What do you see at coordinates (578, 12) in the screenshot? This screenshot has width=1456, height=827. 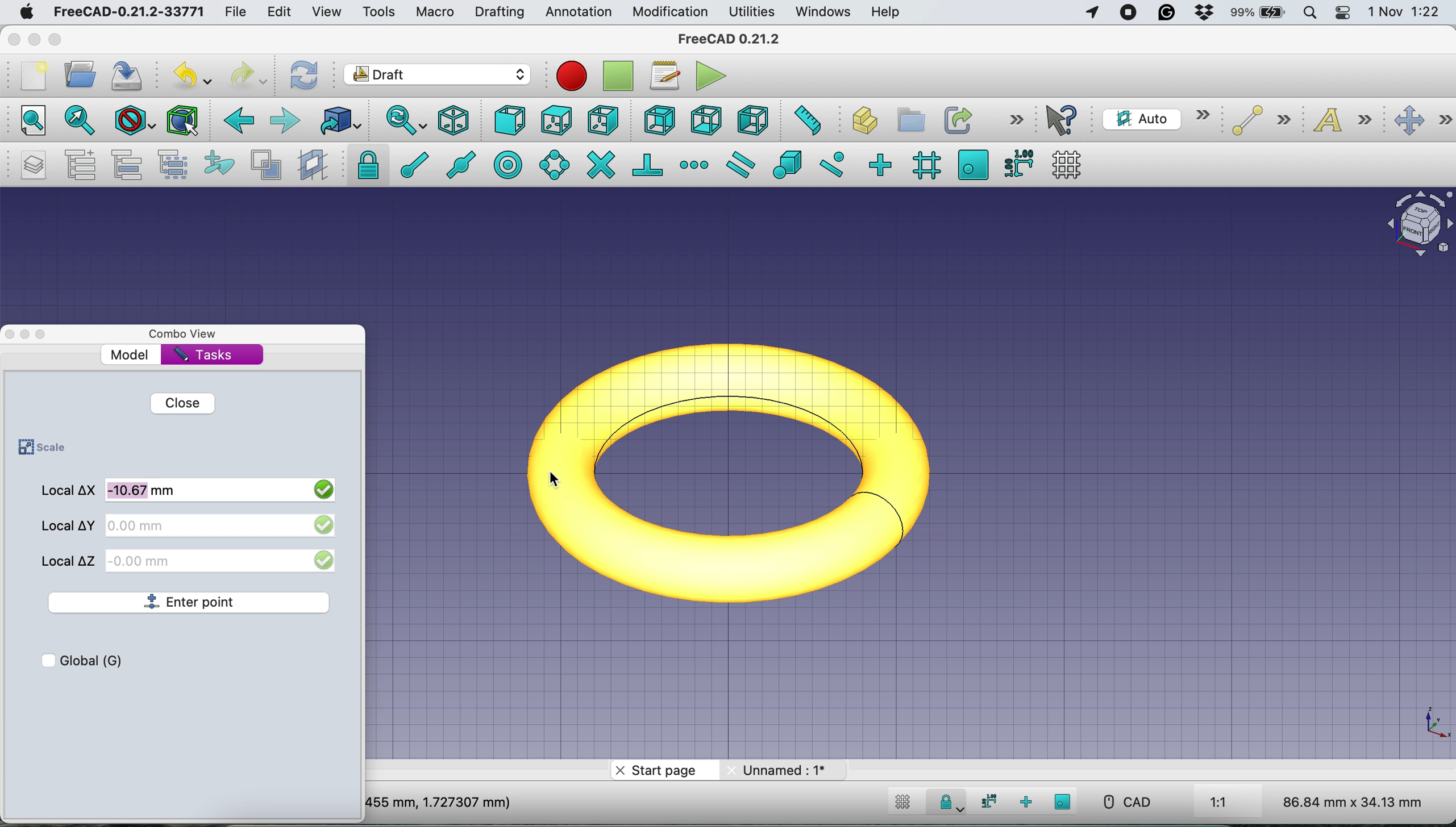 I see `annotation` at bounding box center [578, 12].